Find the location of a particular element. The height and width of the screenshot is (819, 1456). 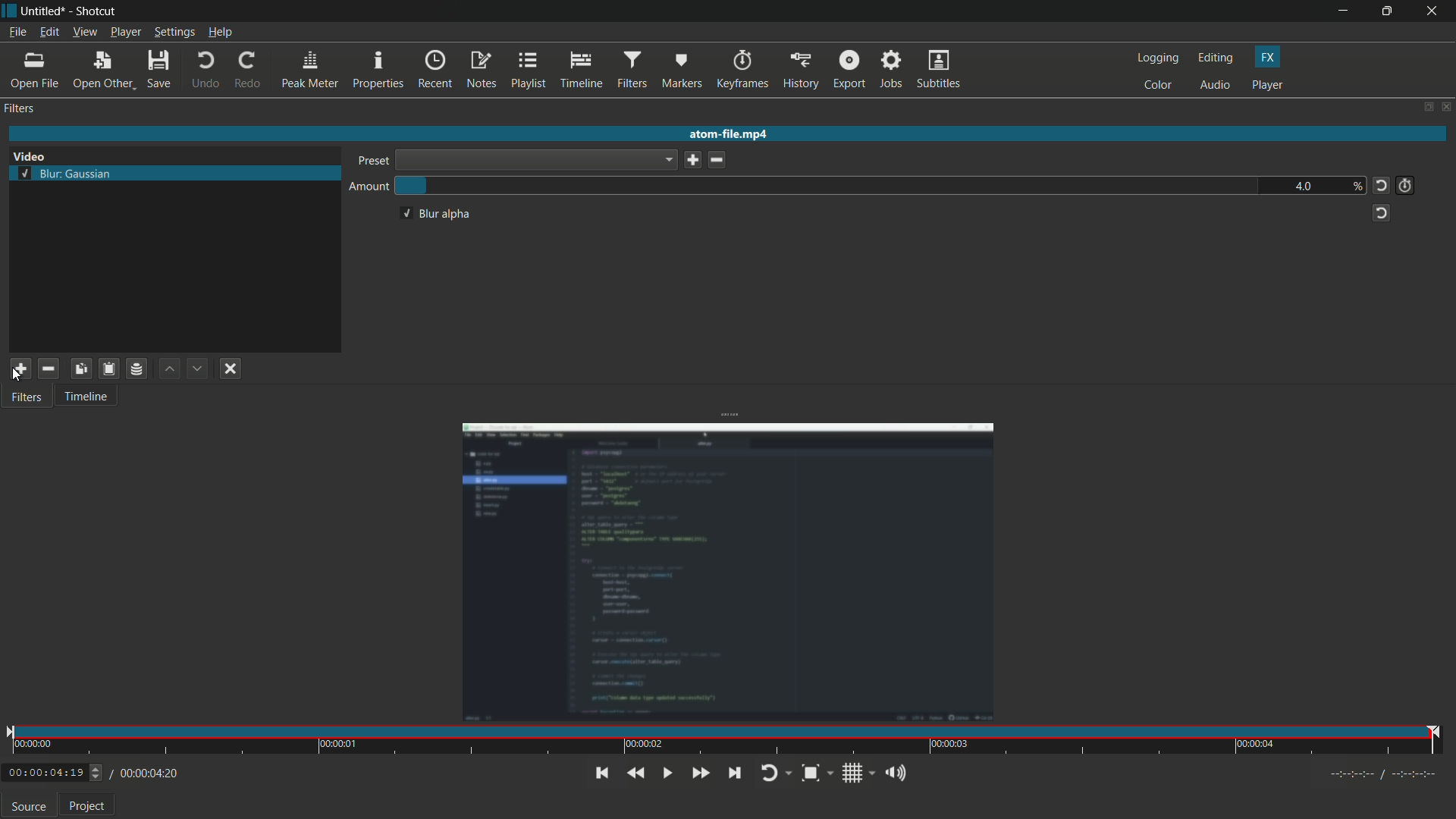

player is located at coordinates (1268, 84).